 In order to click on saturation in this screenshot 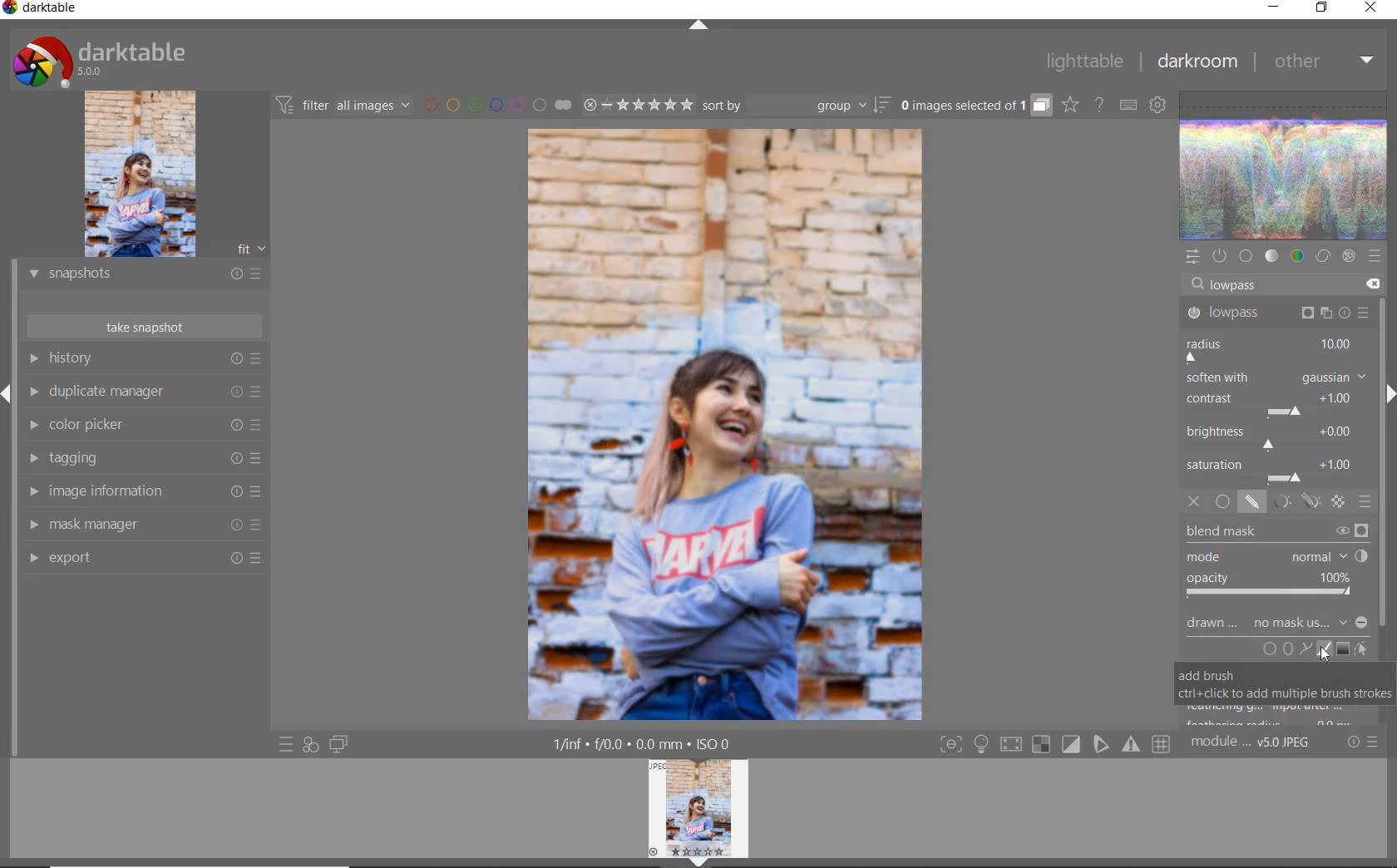, I will do `click(1275, 470)`.